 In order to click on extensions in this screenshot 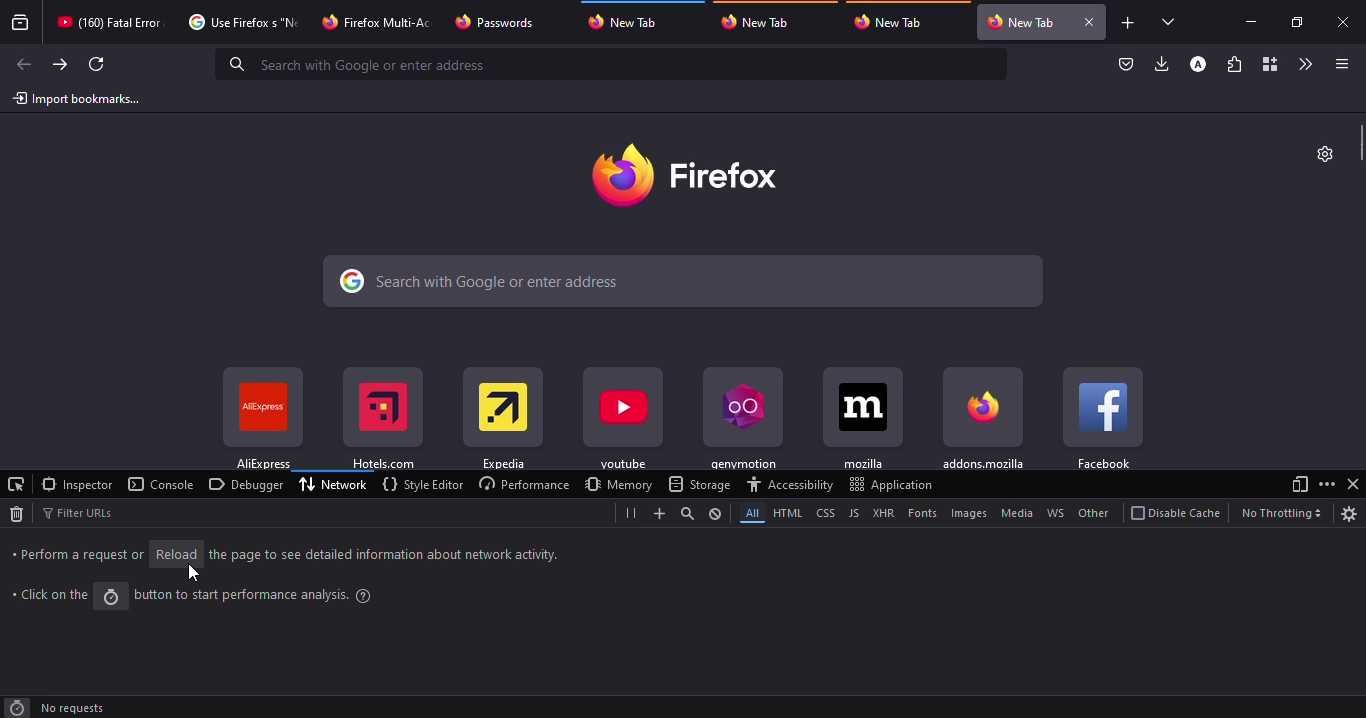, I will do `click(1233, 64)`.